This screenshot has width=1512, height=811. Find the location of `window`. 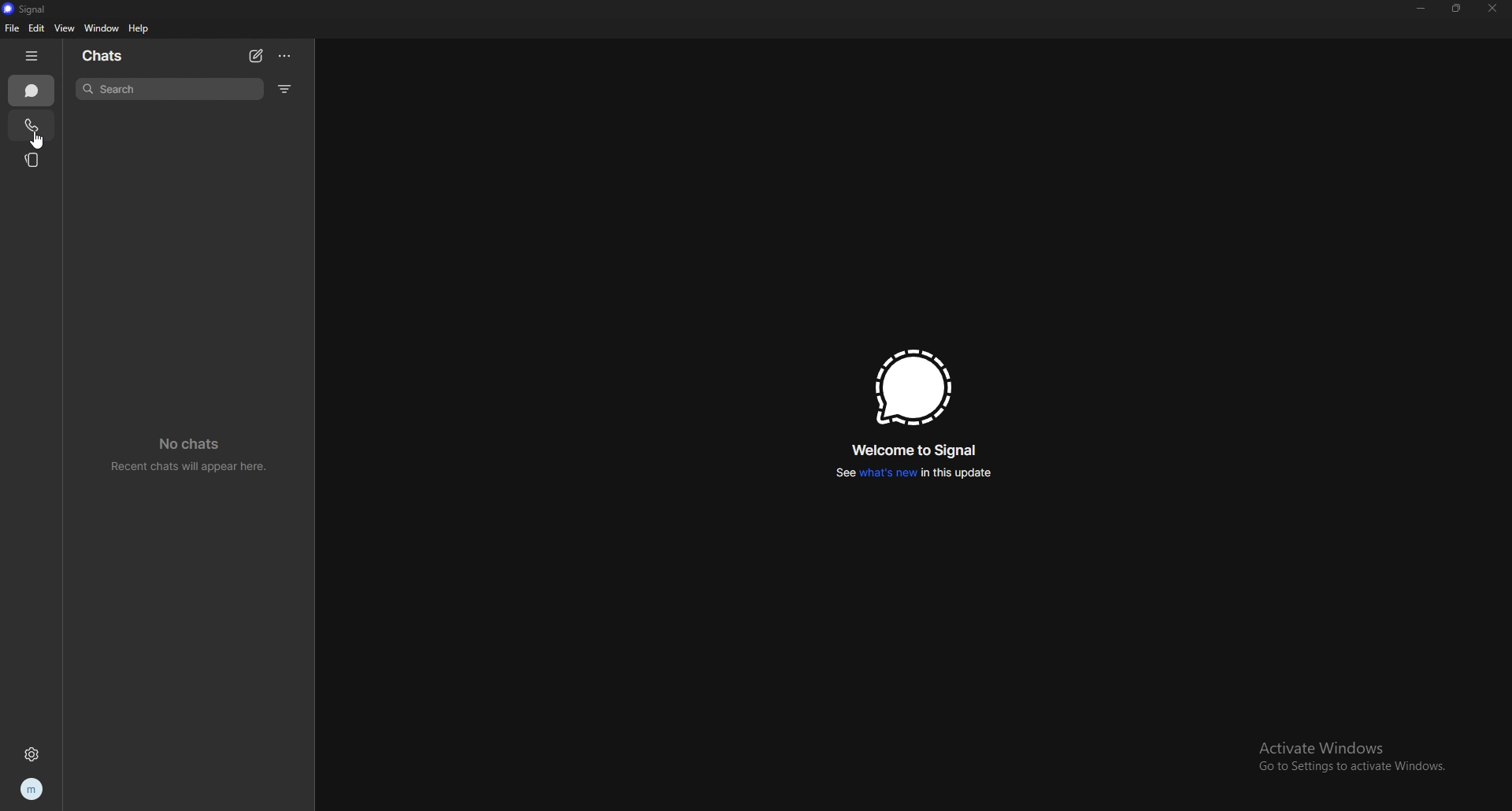

window is located at coordinates (102, 29).